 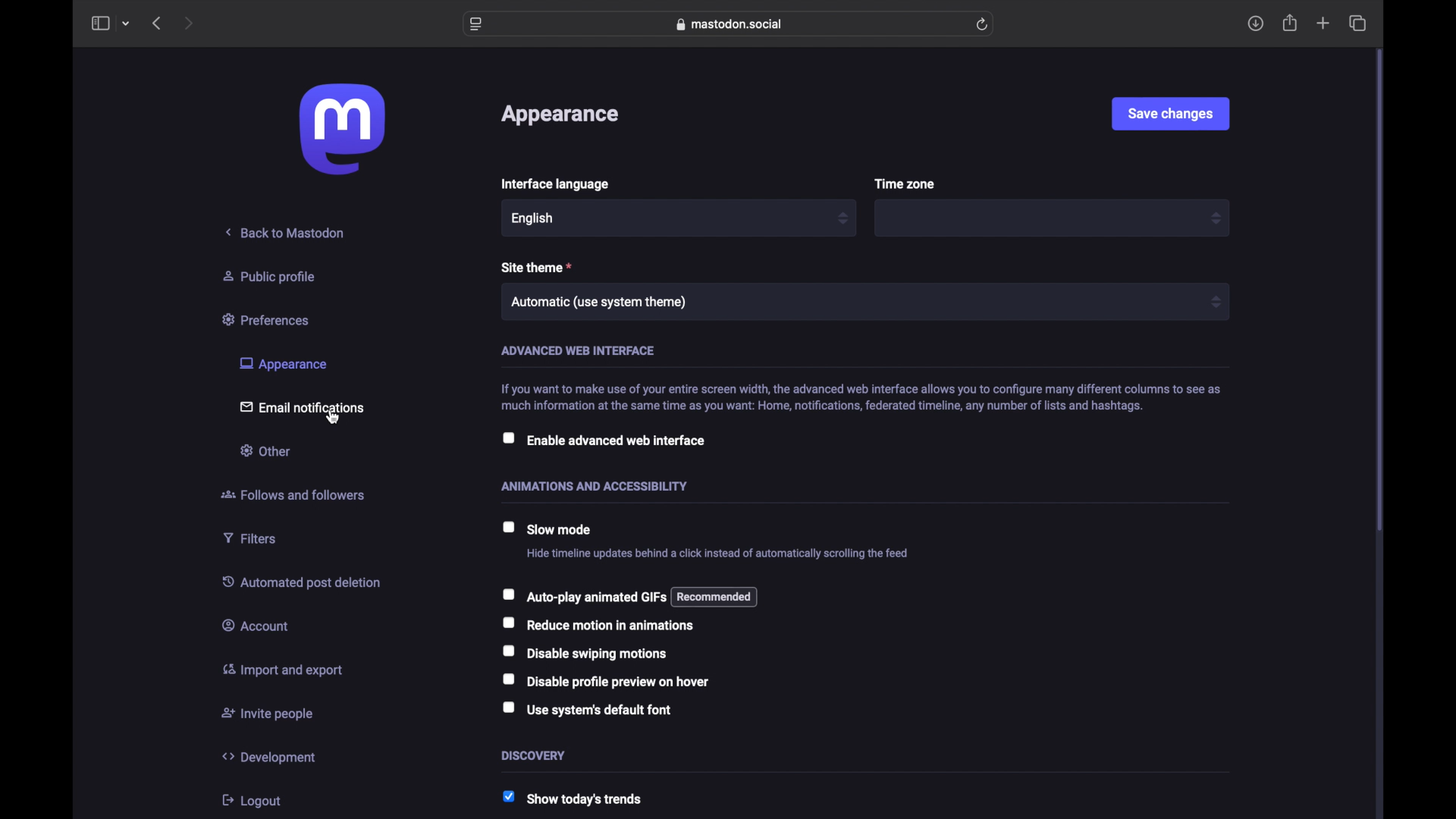 I want to click on preferences, so click(x=268, y=318).